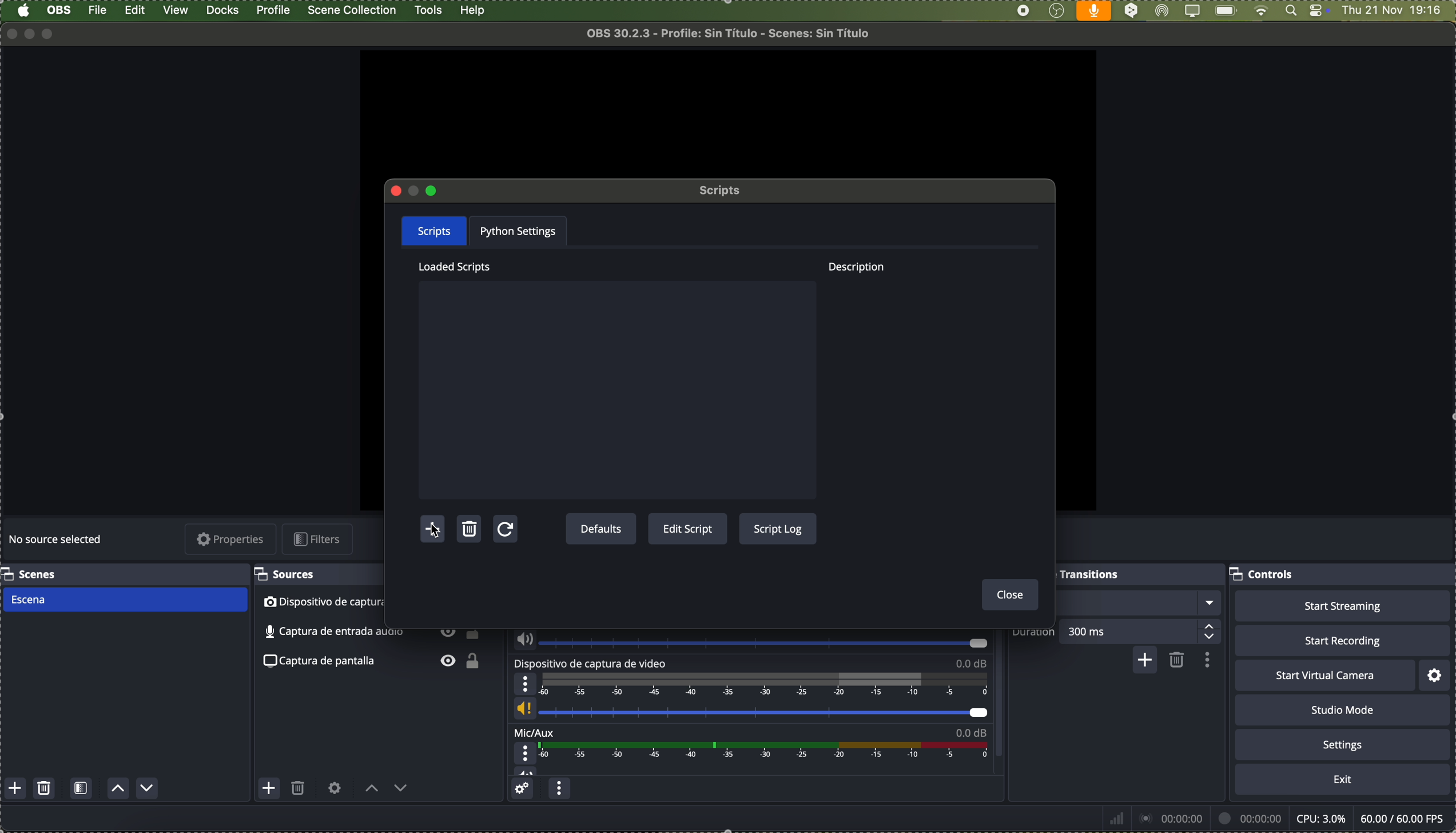 The width and height of the screenshot is (1456, 833). I want to click on OBS, so click(60, 10).